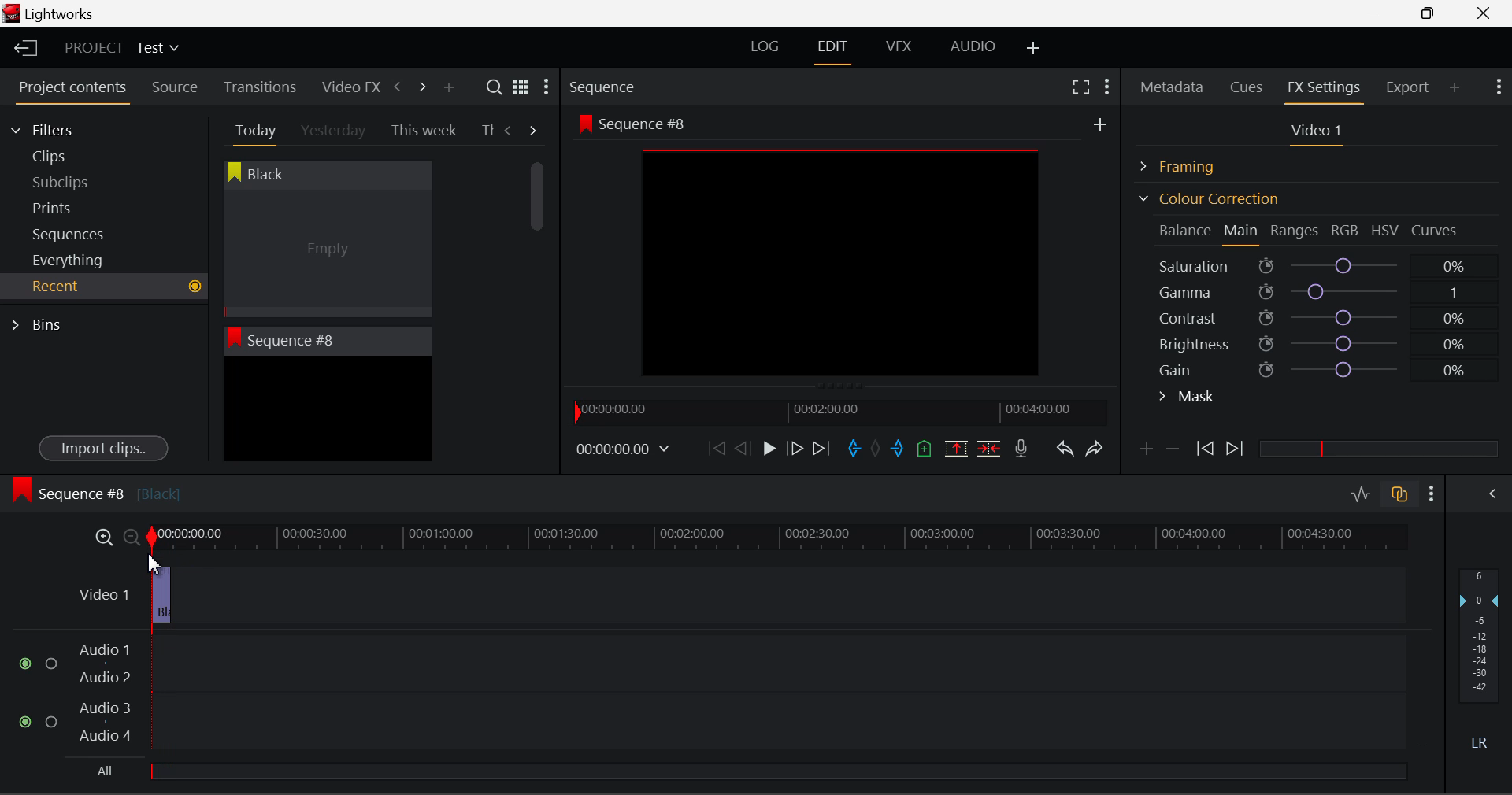 The image size is (1512, 795). What do you see at coordinates (712, 694) in the screenshot?
I see `Audio Input Fields` at bounding box center [712, 694].